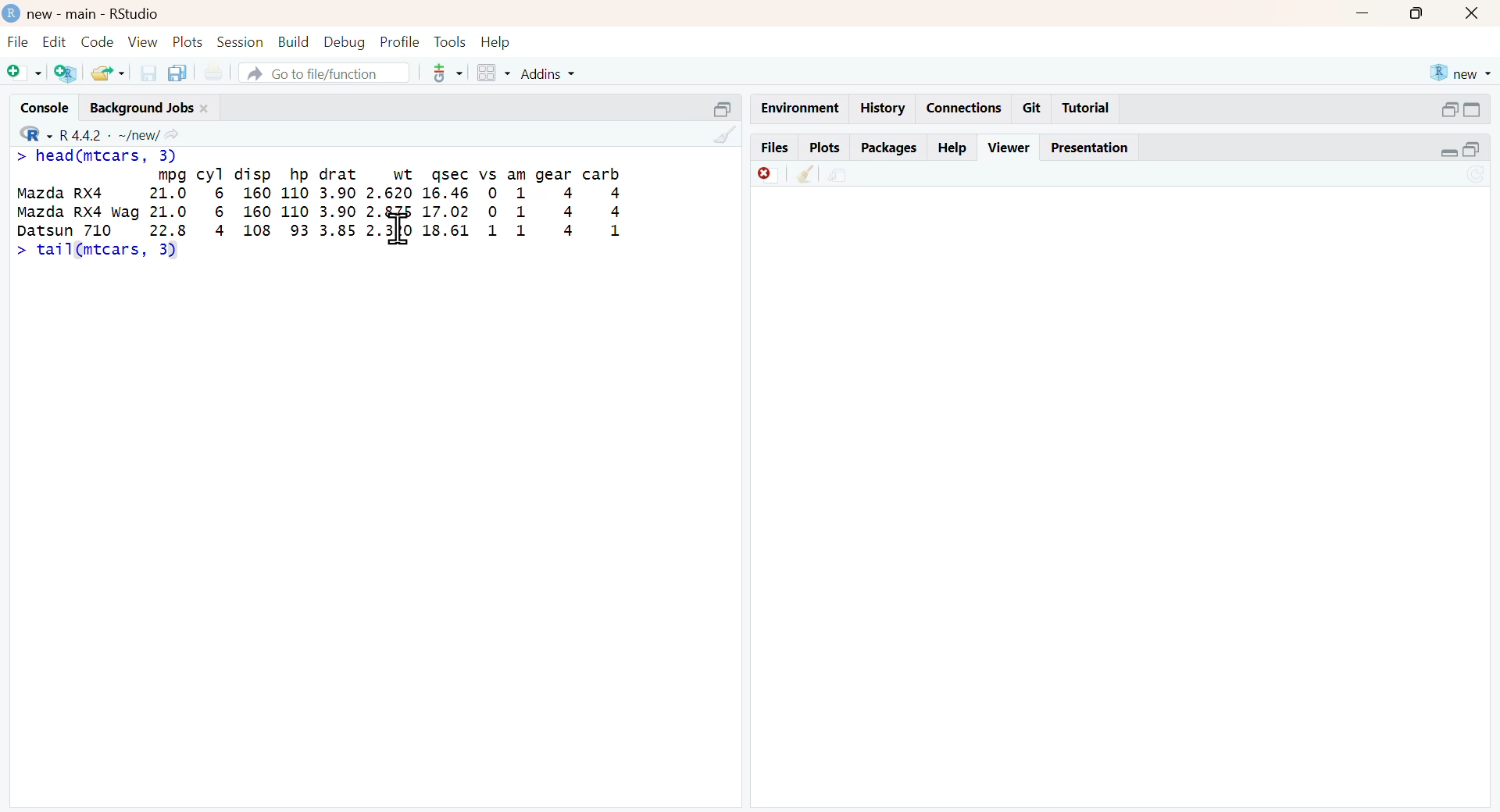  I want to click on minimize/maximize, so click(1460, 150).